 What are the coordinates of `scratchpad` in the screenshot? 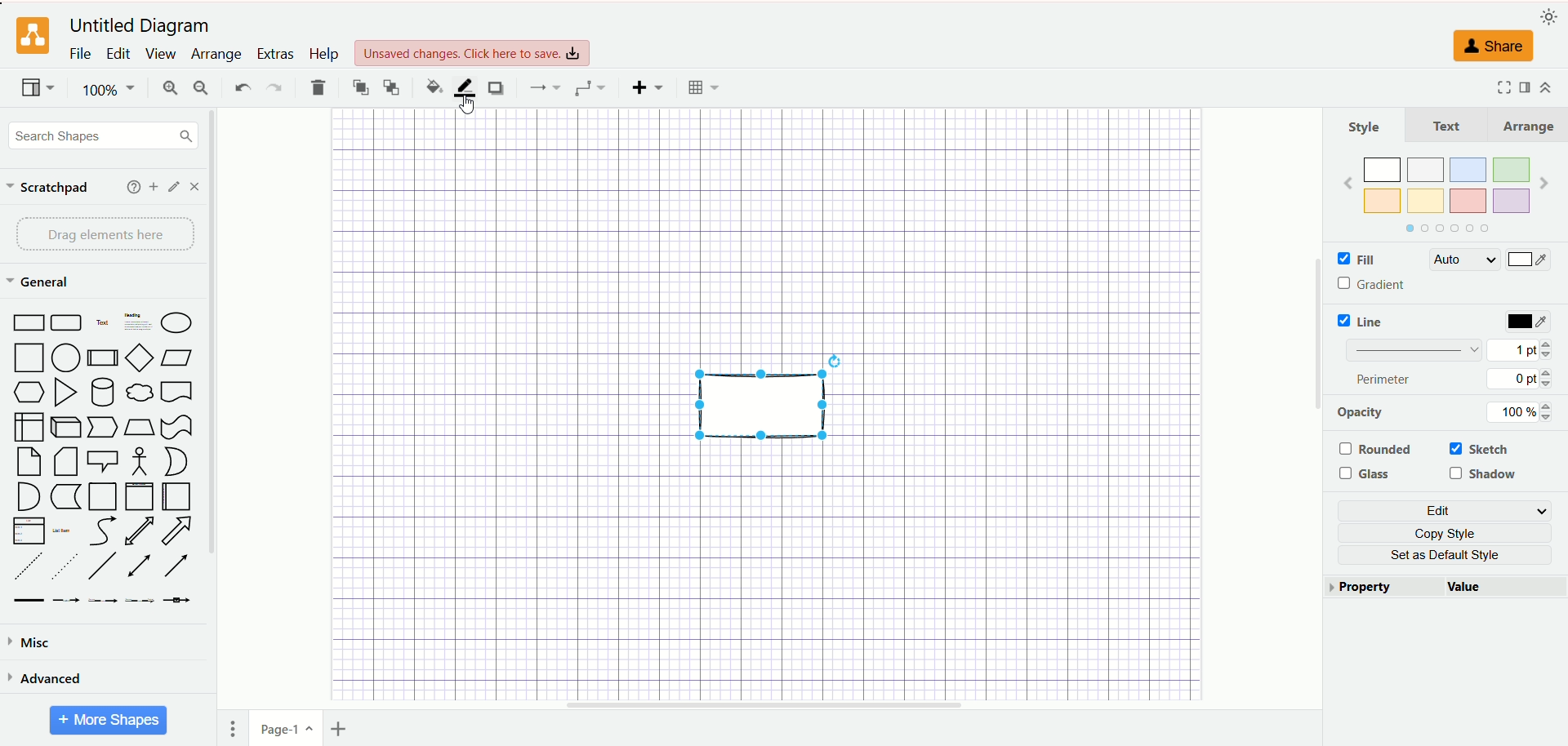 It's located at (48, 189).